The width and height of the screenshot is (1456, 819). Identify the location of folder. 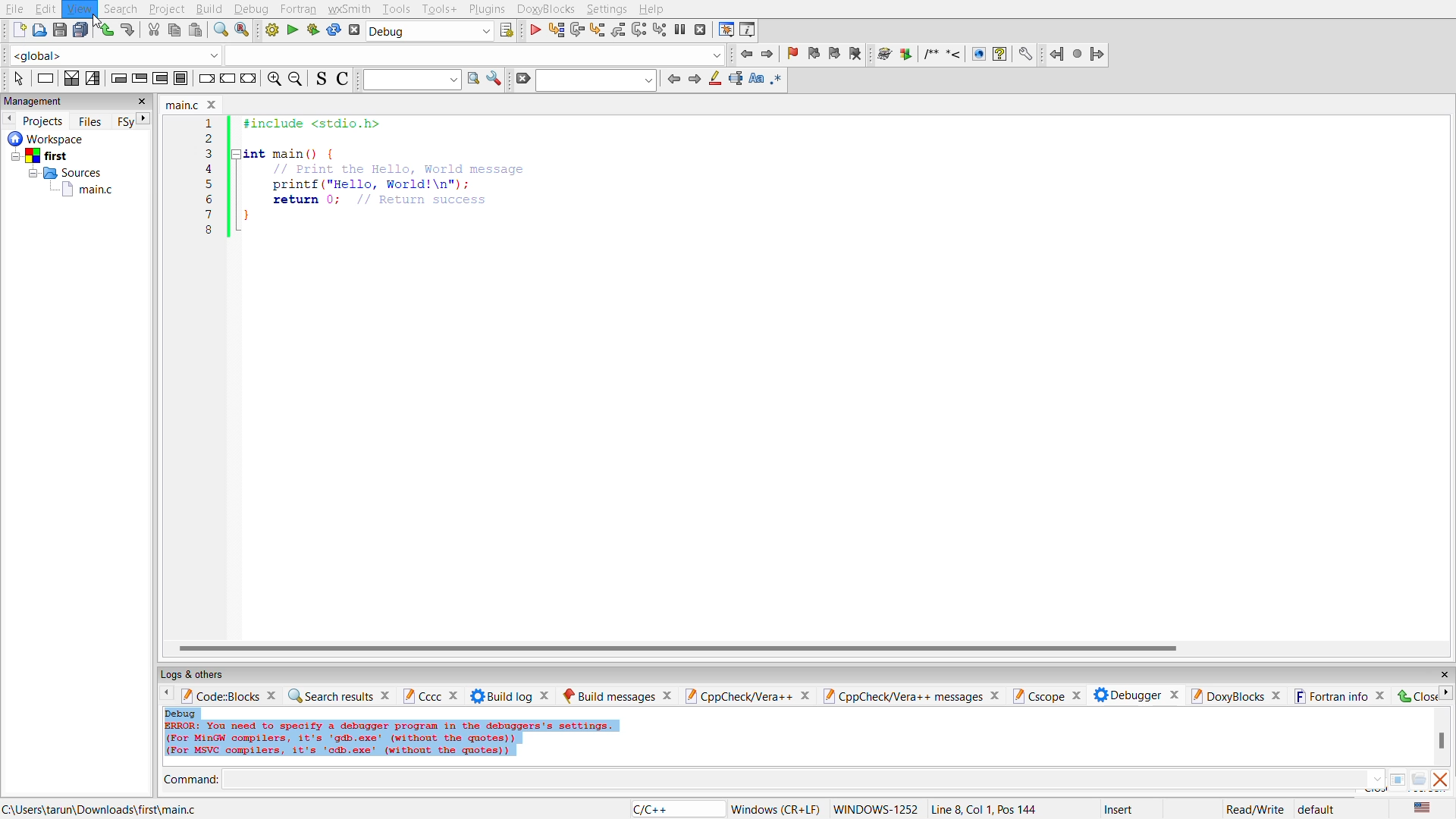
(1419, 782).